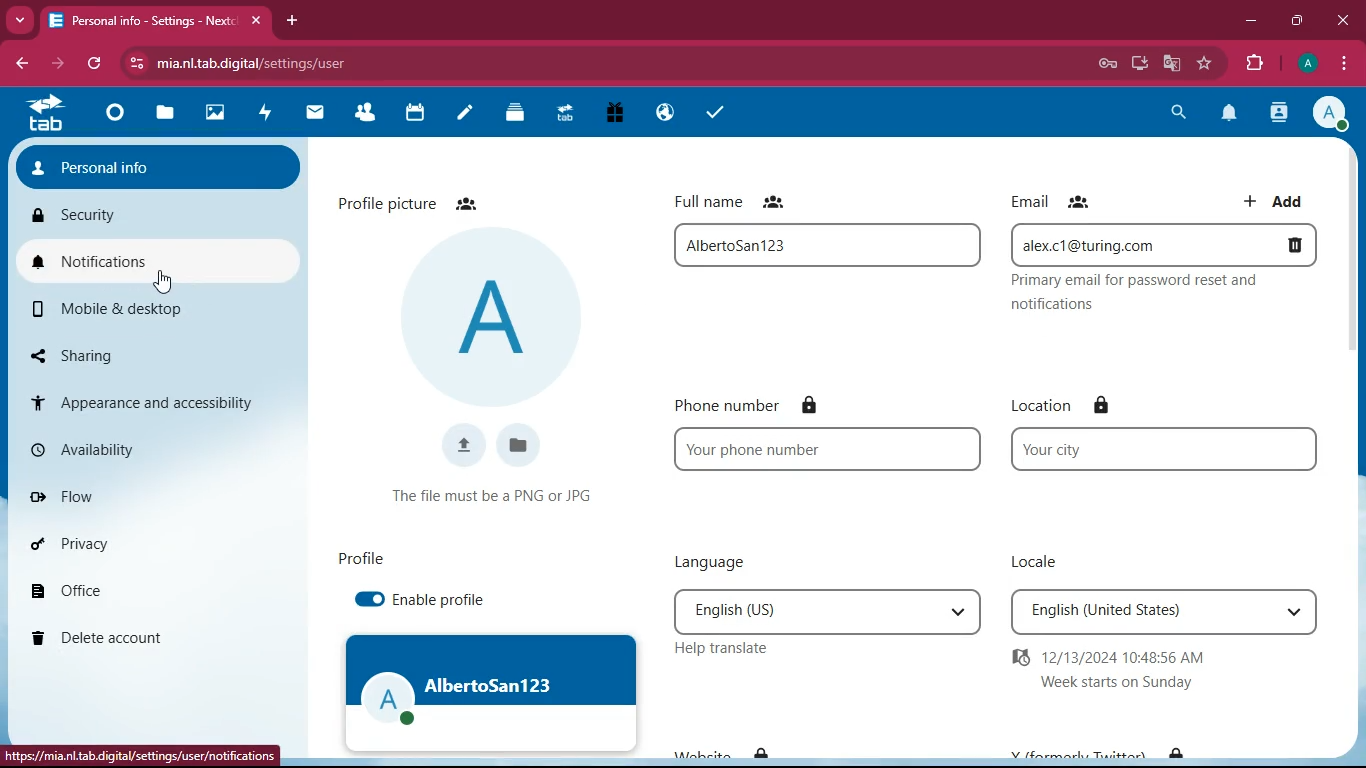 The image size is (1366, 768). What do you see at coordinates (1117, 685) in the screenshot?
I see `Week start on Sunday` at bounding box center [1117, 685].